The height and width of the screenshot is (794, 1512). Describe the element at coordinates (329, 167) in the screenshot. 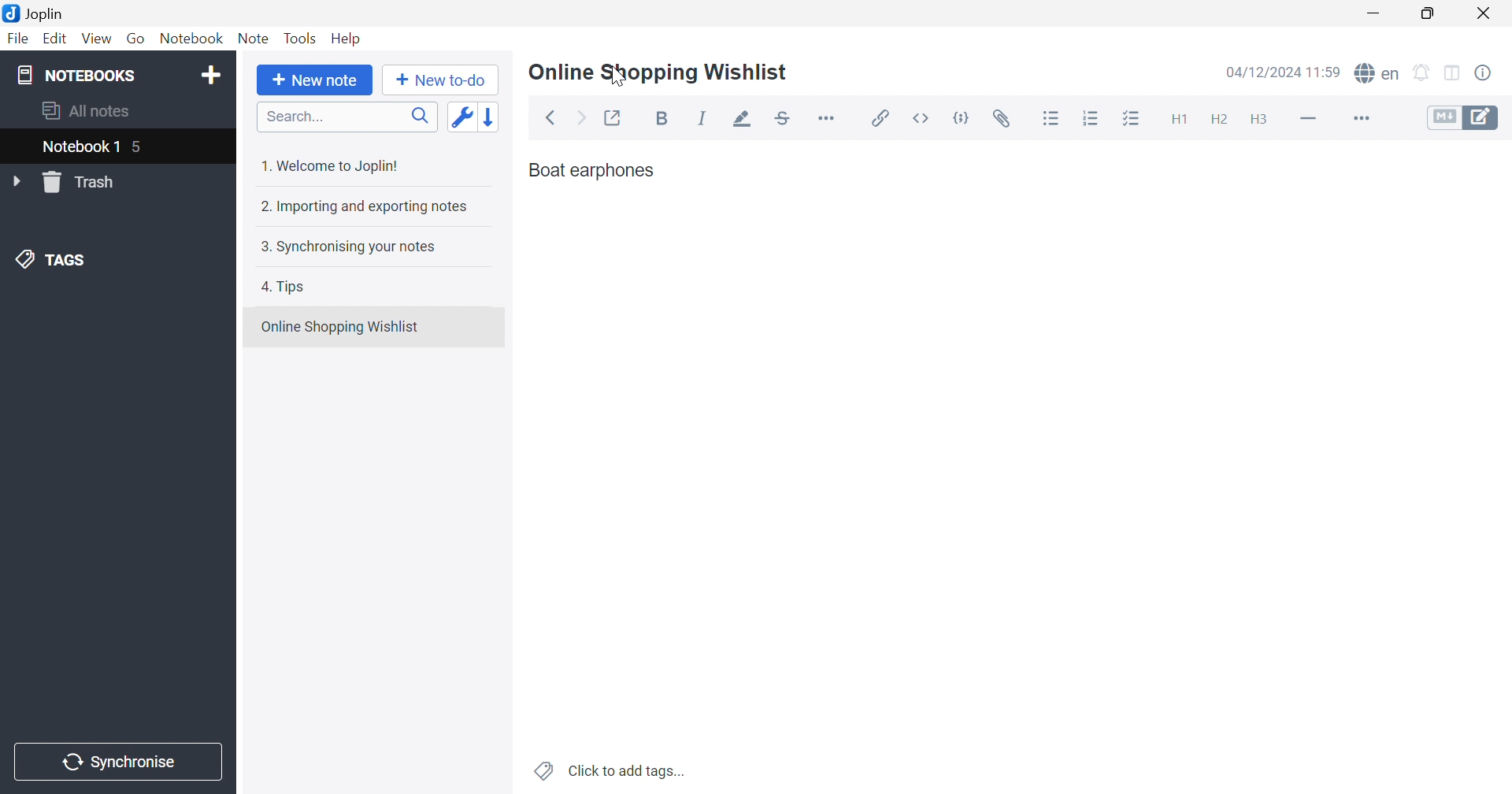

I see `1. Welcome to Joplin!` at that location.